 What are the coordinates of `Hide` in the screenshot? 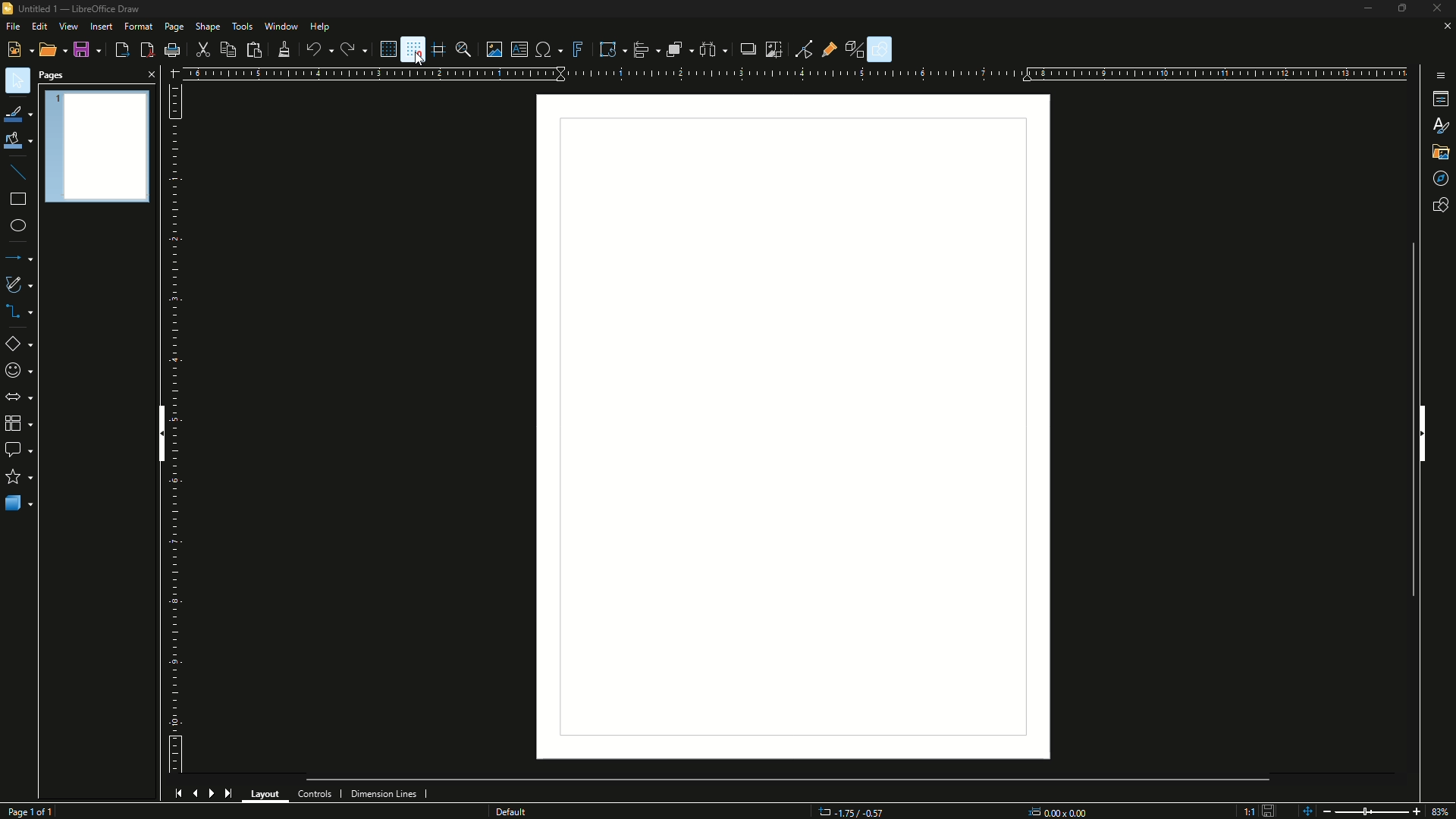 It's located at (1426, 437).